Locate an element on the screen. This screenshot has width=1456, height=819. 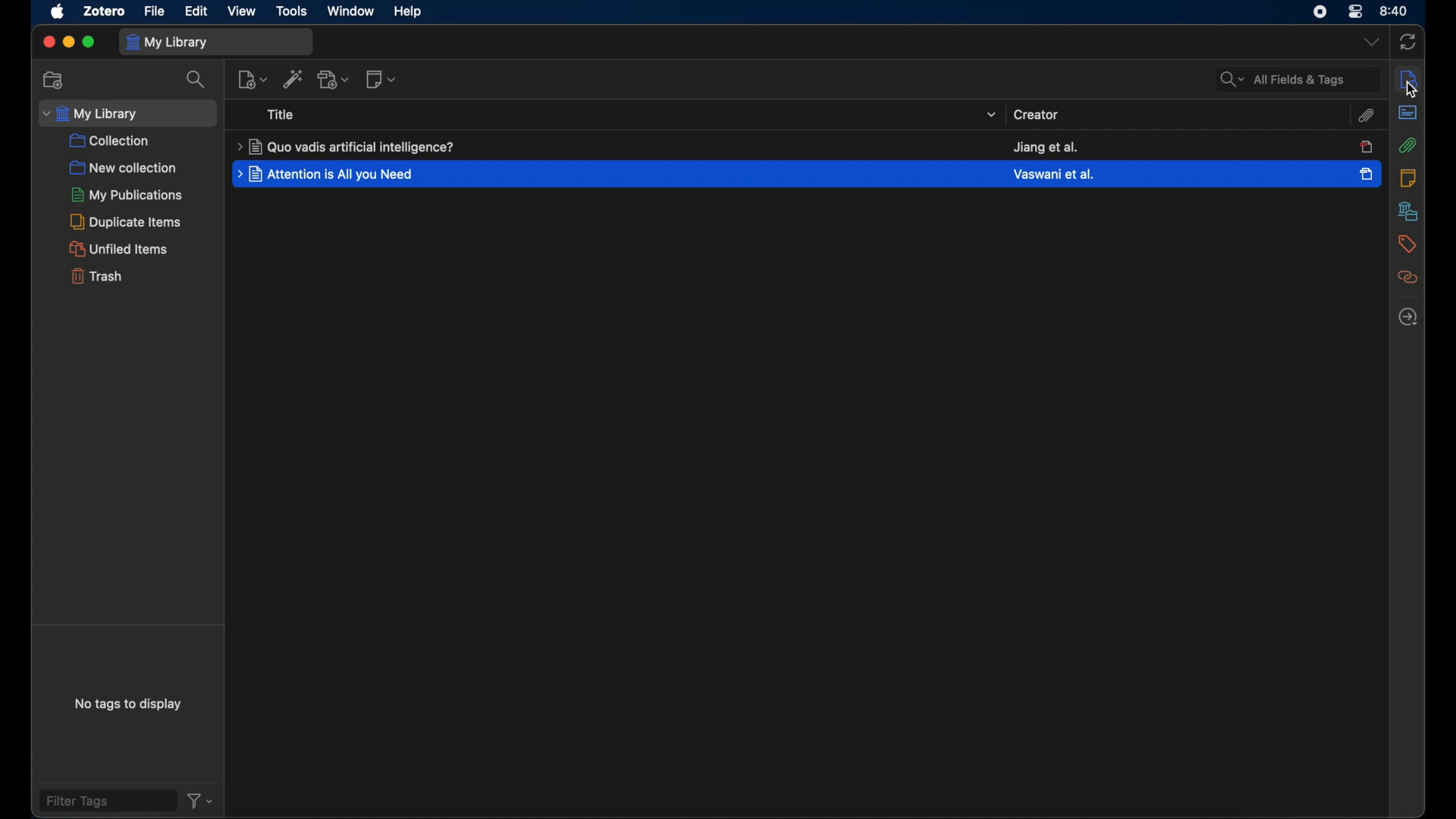
add attachment is located at coordinates (333, 80).